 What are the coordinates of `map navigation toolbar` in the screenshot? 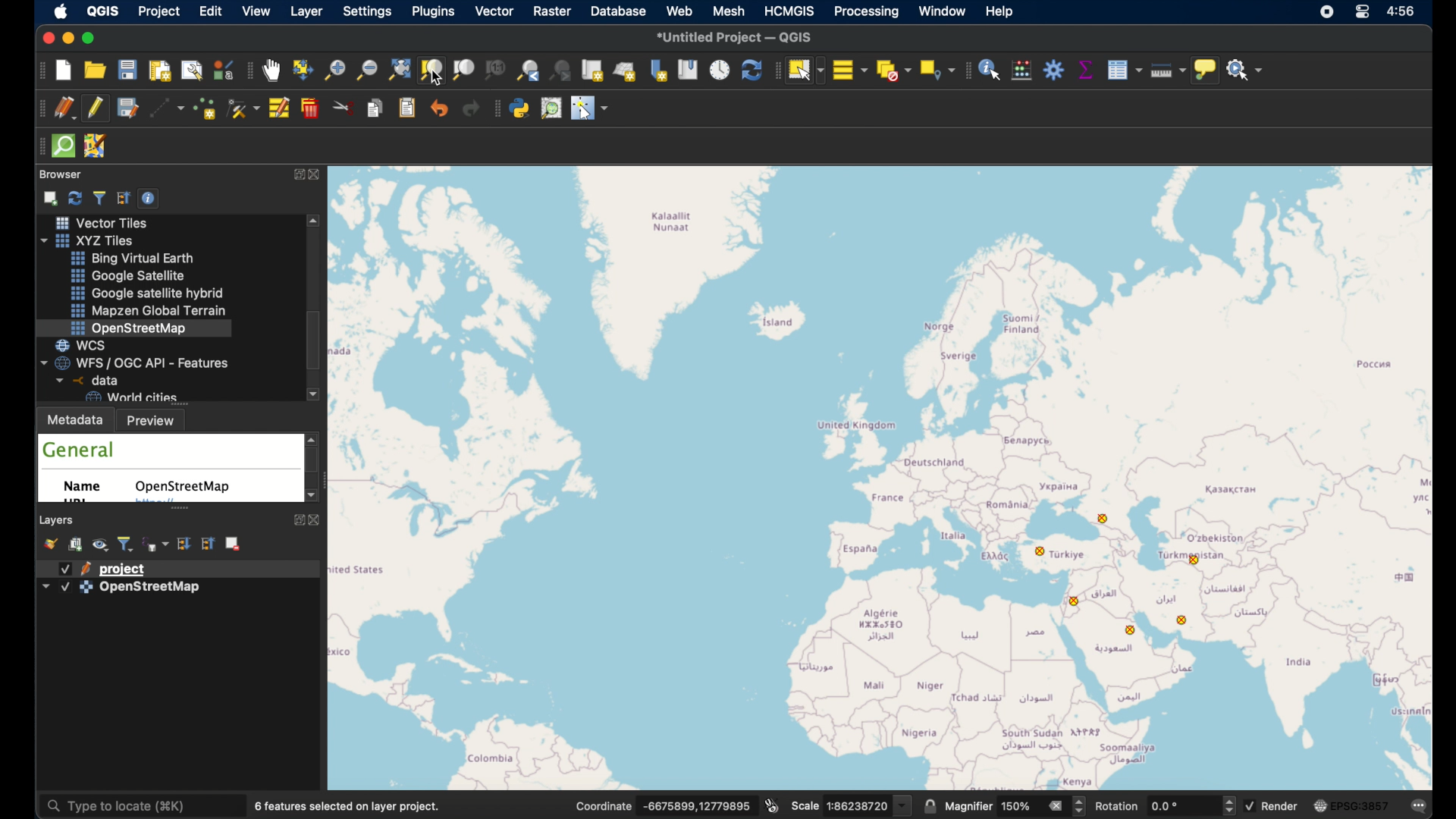 It's located at (249, 72).